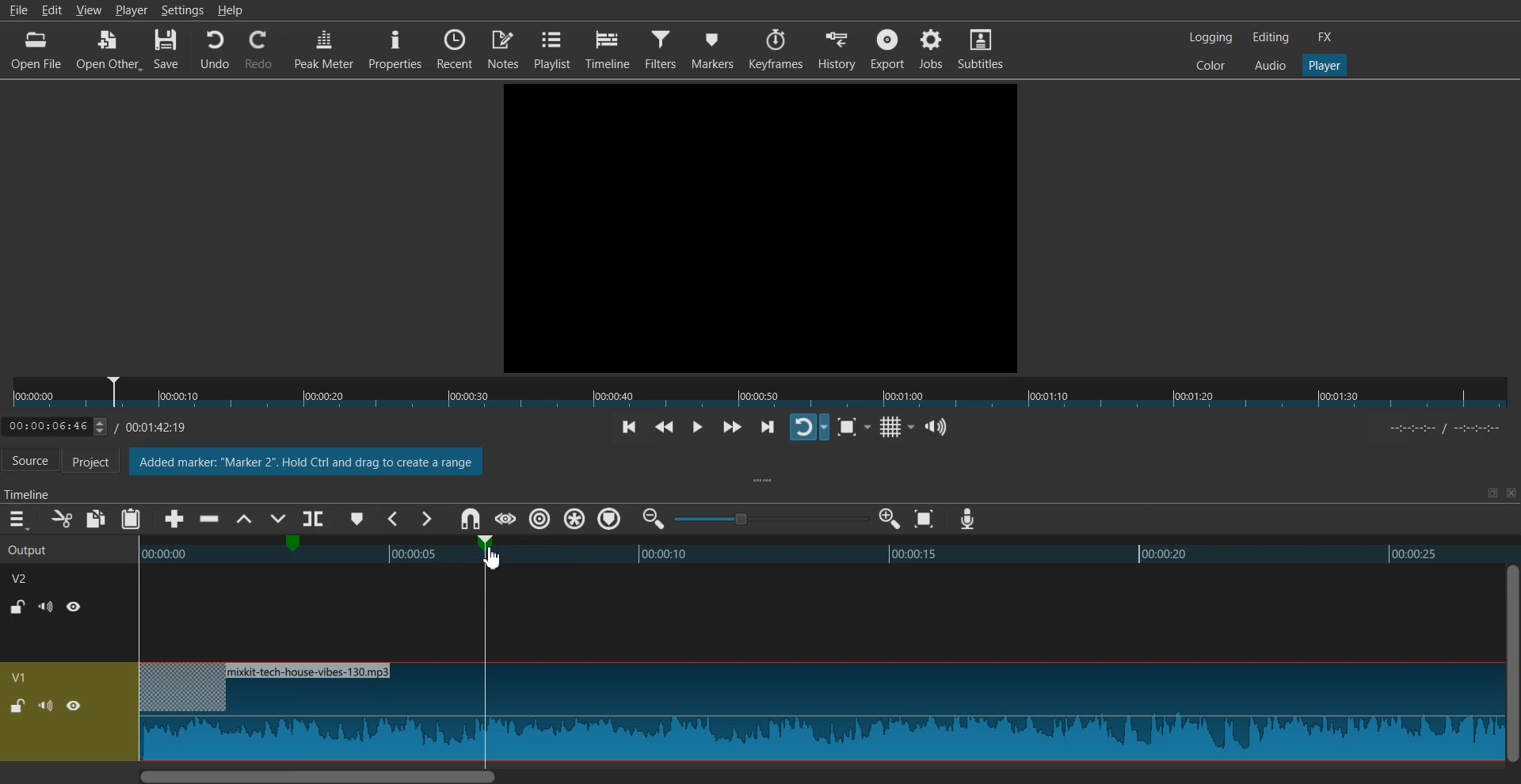 Image resolution: width=1521 pixels, height=784 pixels. I want to click on Add marker, so click(357, 519).